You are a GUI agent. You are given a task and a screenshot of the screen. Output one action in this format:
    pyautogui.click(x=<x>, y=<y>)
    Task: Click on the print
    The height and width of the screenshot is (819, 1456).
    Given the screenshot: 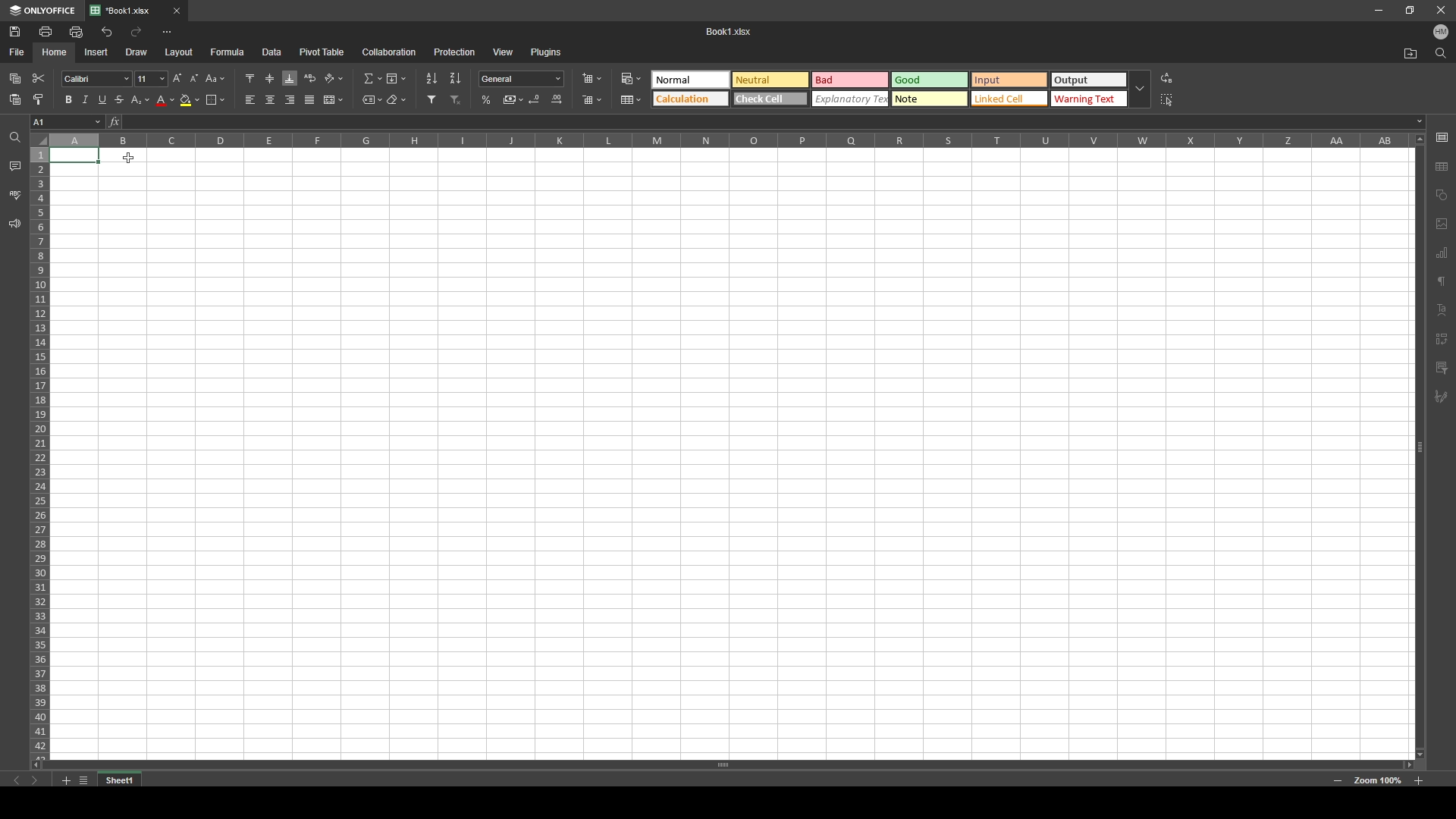 What is the action you would take?
    pyautogui.click(x=47, y=31)
    